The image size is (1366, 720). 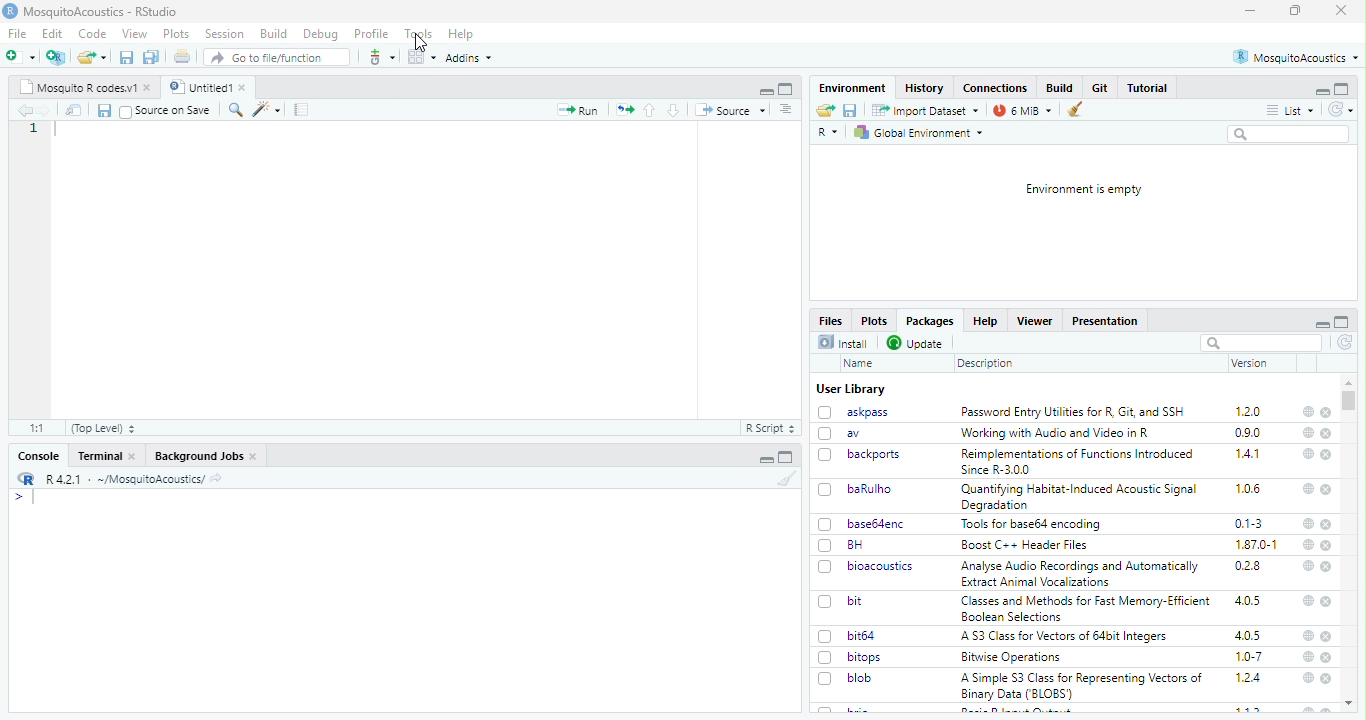 What do you see at coordinates (1325, 524) in the screenshot?
I see `close` at bounding box center [1325, 524].